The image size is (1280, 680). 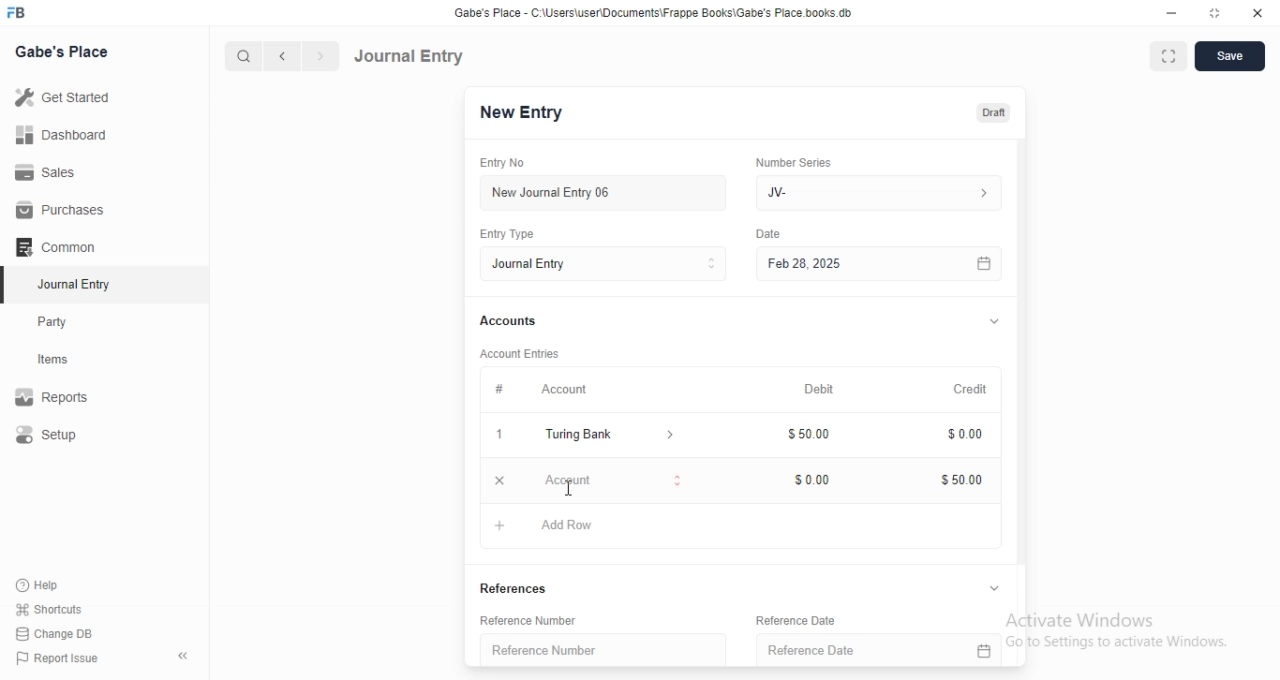 What do you see at coordinates (62, 609) in the screenshot?
I see `‘Shortcuts` at bounding box center [62, 609].